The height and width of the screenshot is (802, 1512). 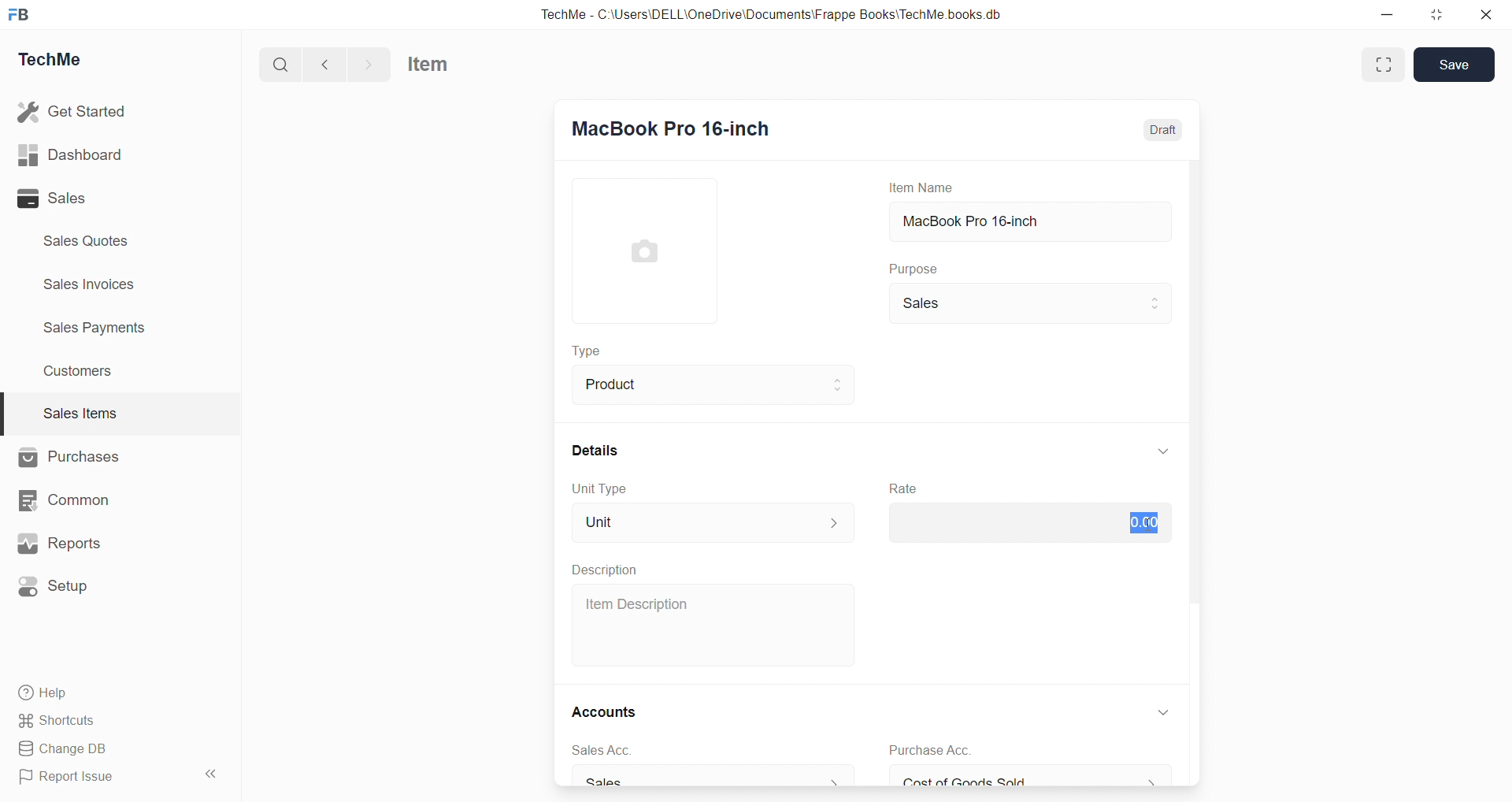 What do you see at coordinates (45, 693) in the screenshot?
I see `Help` at bounding box center [45, 693].